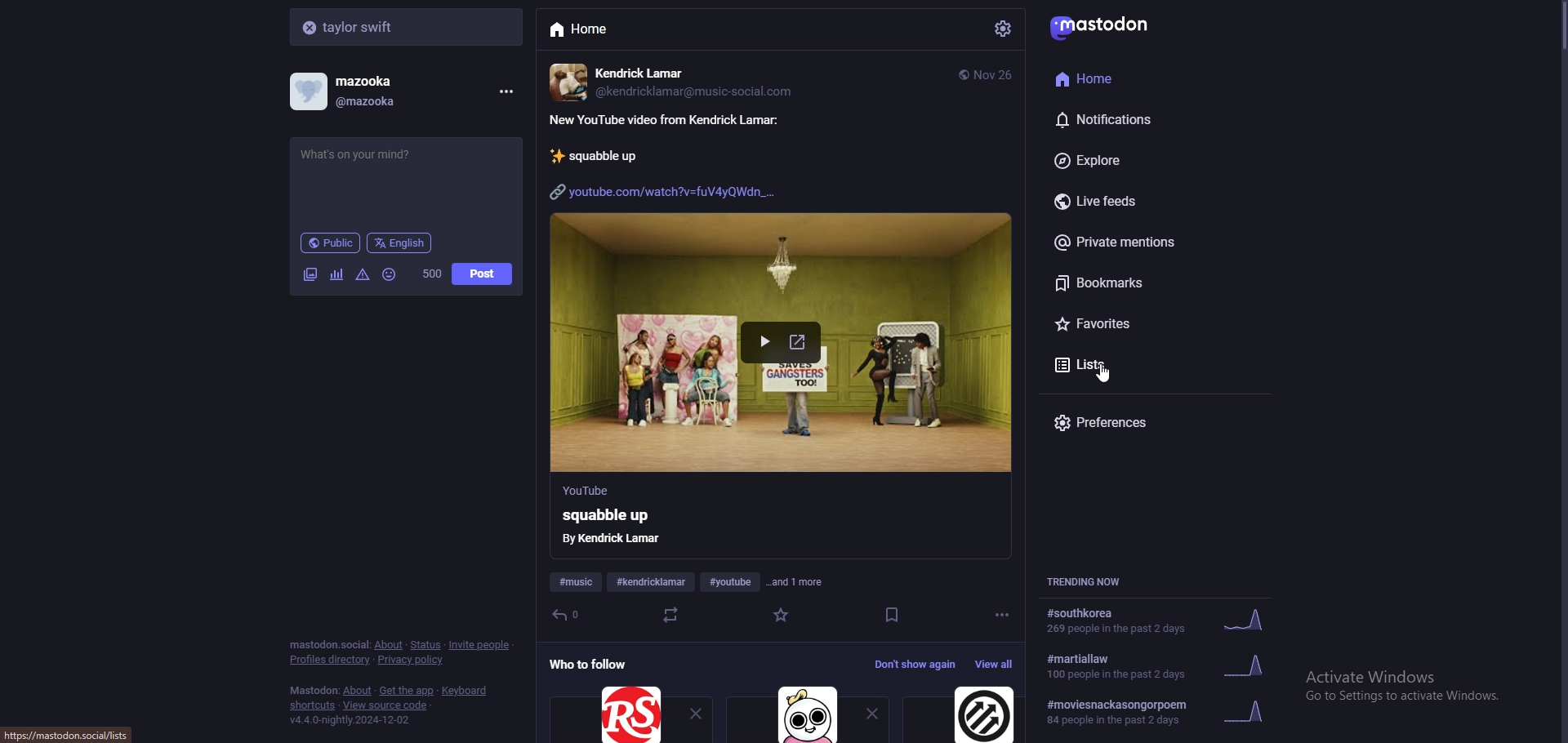  I want to click on view source code, so click(385, 706).